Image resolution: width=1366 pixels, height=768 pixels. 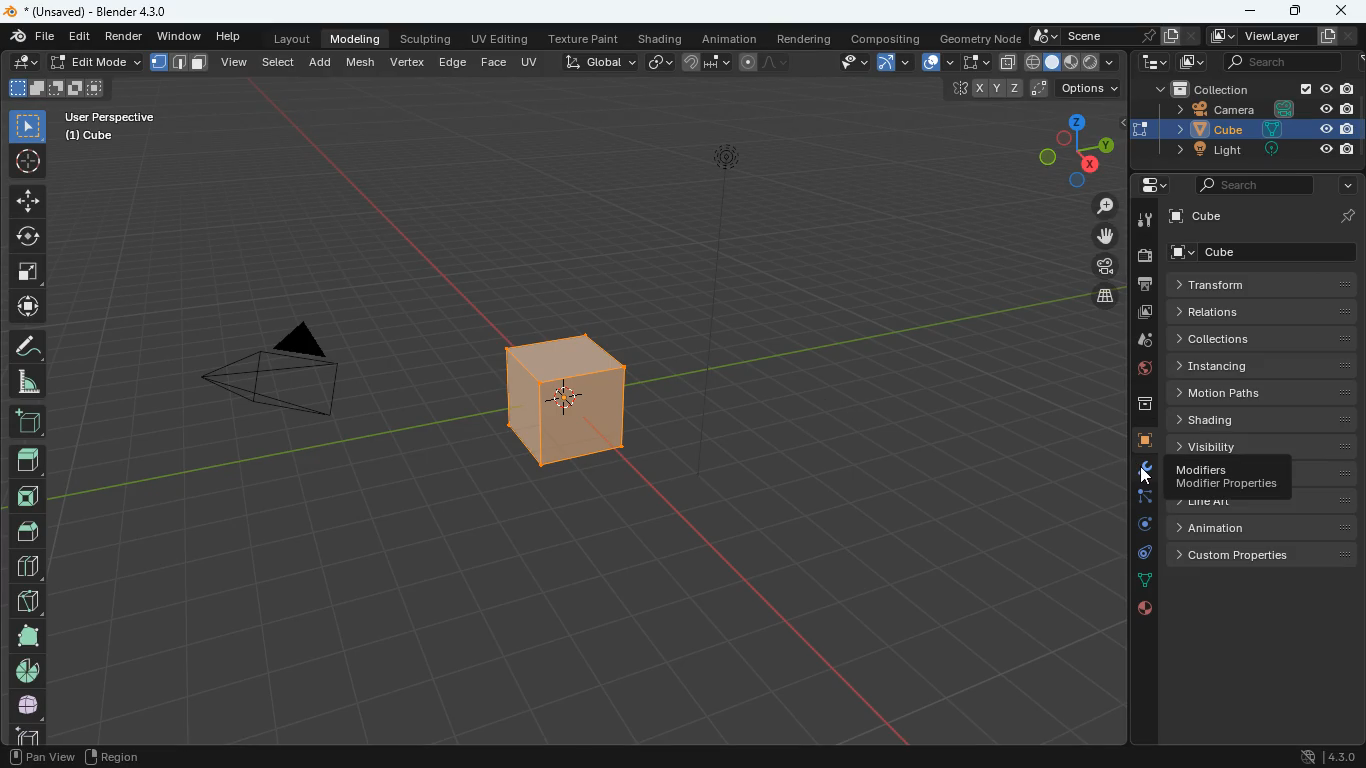 I want to click on transform, so click(x=1264, y=285).